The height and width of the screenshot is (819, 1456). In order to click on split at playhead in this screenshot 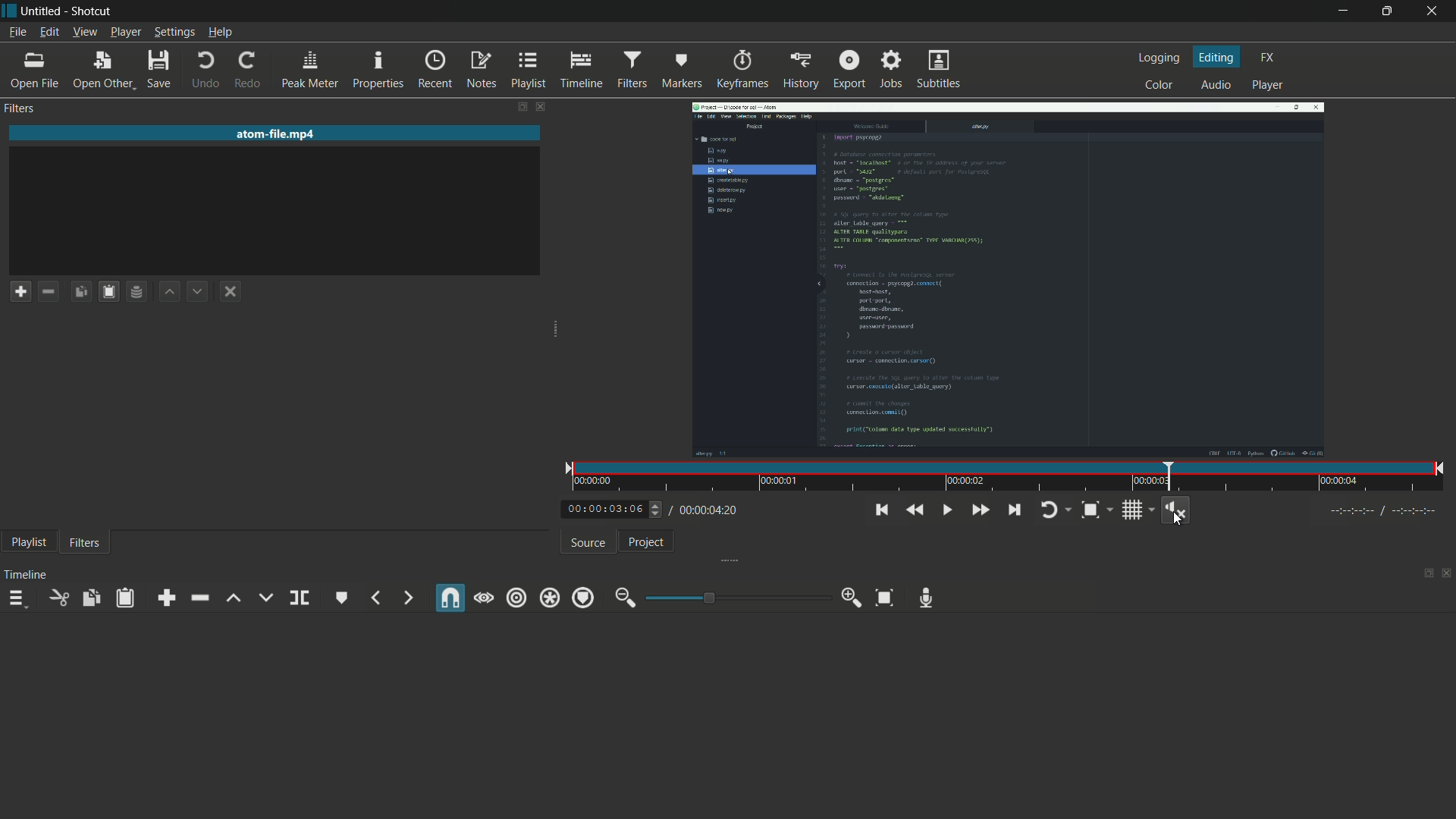, I will do `click(300, 598)`.